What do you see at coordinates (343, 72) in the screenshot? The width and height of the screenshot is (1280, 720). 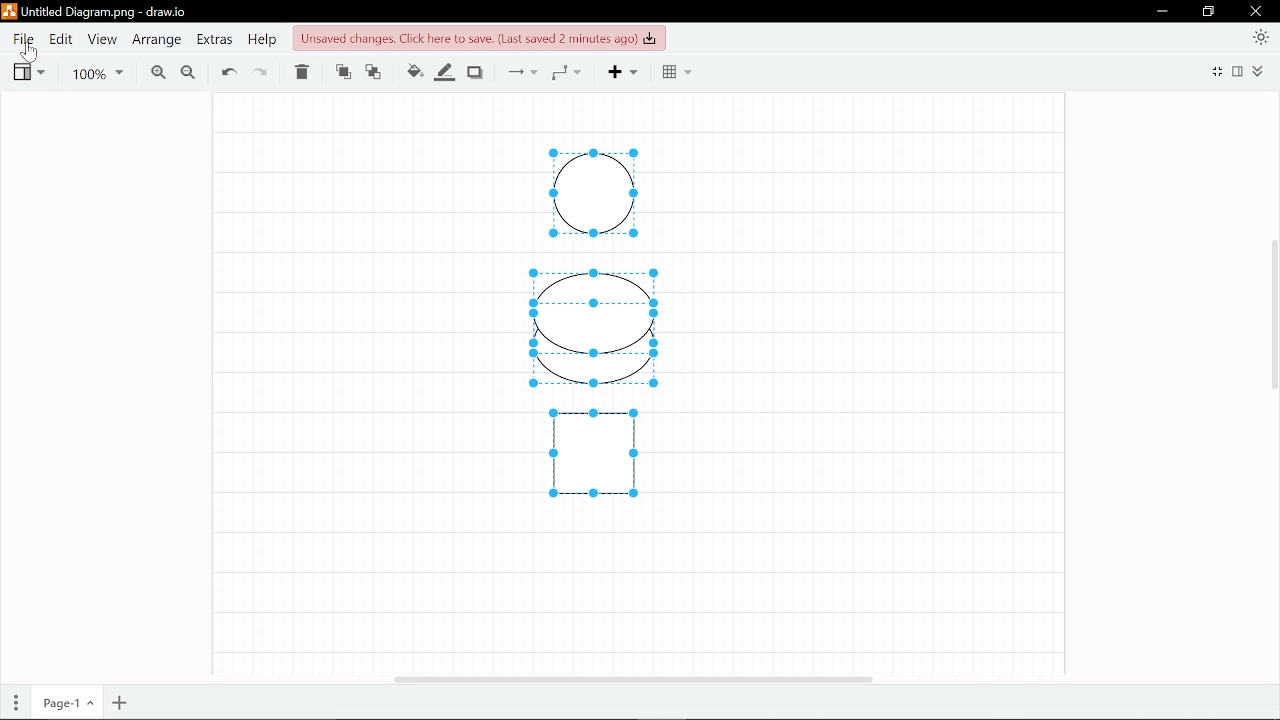 I see `Move front` at bounding box center [343, 72].